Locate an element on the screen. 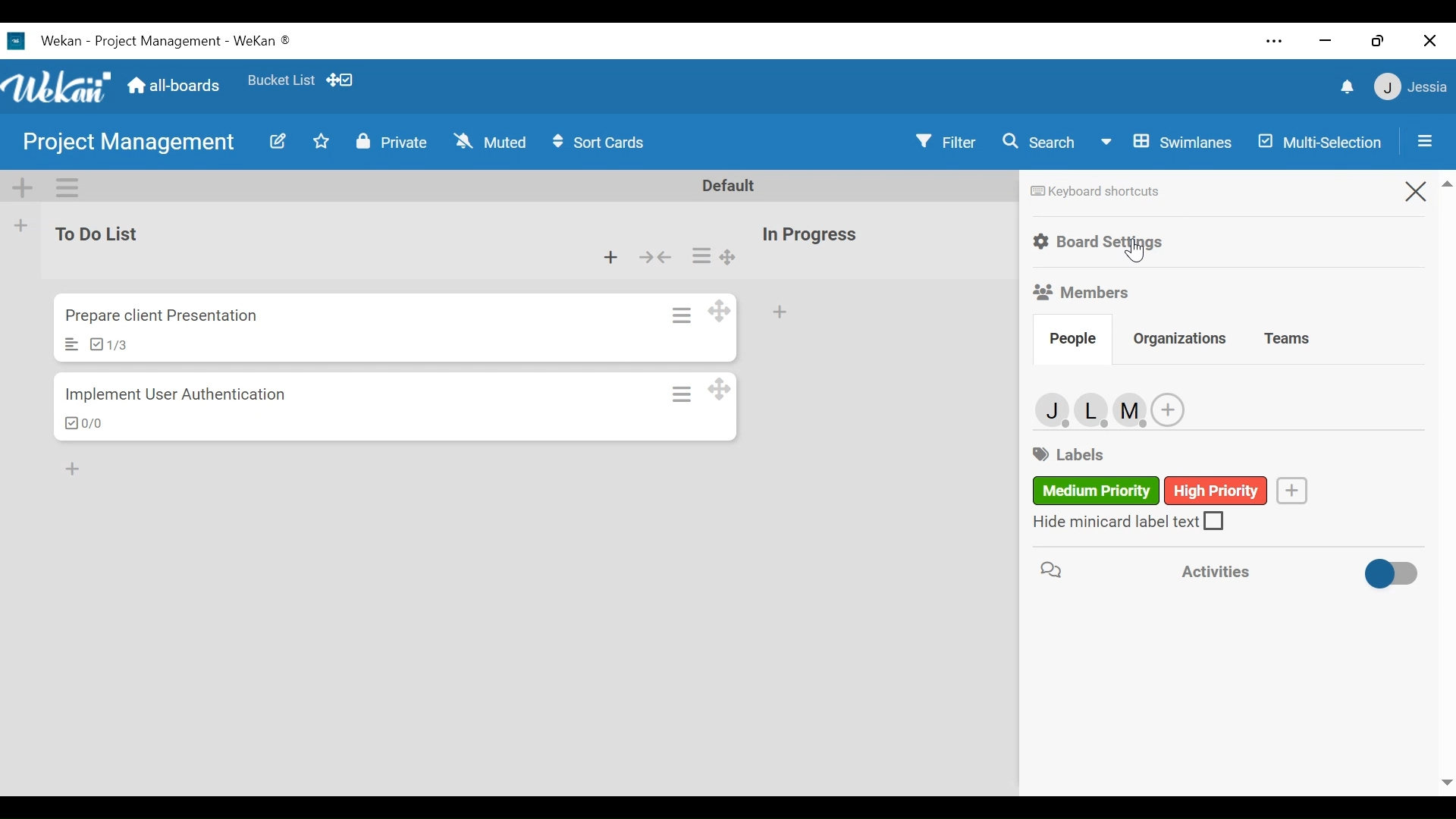 The image size is (1456, 819). Description is located at coordinates (71, 344).